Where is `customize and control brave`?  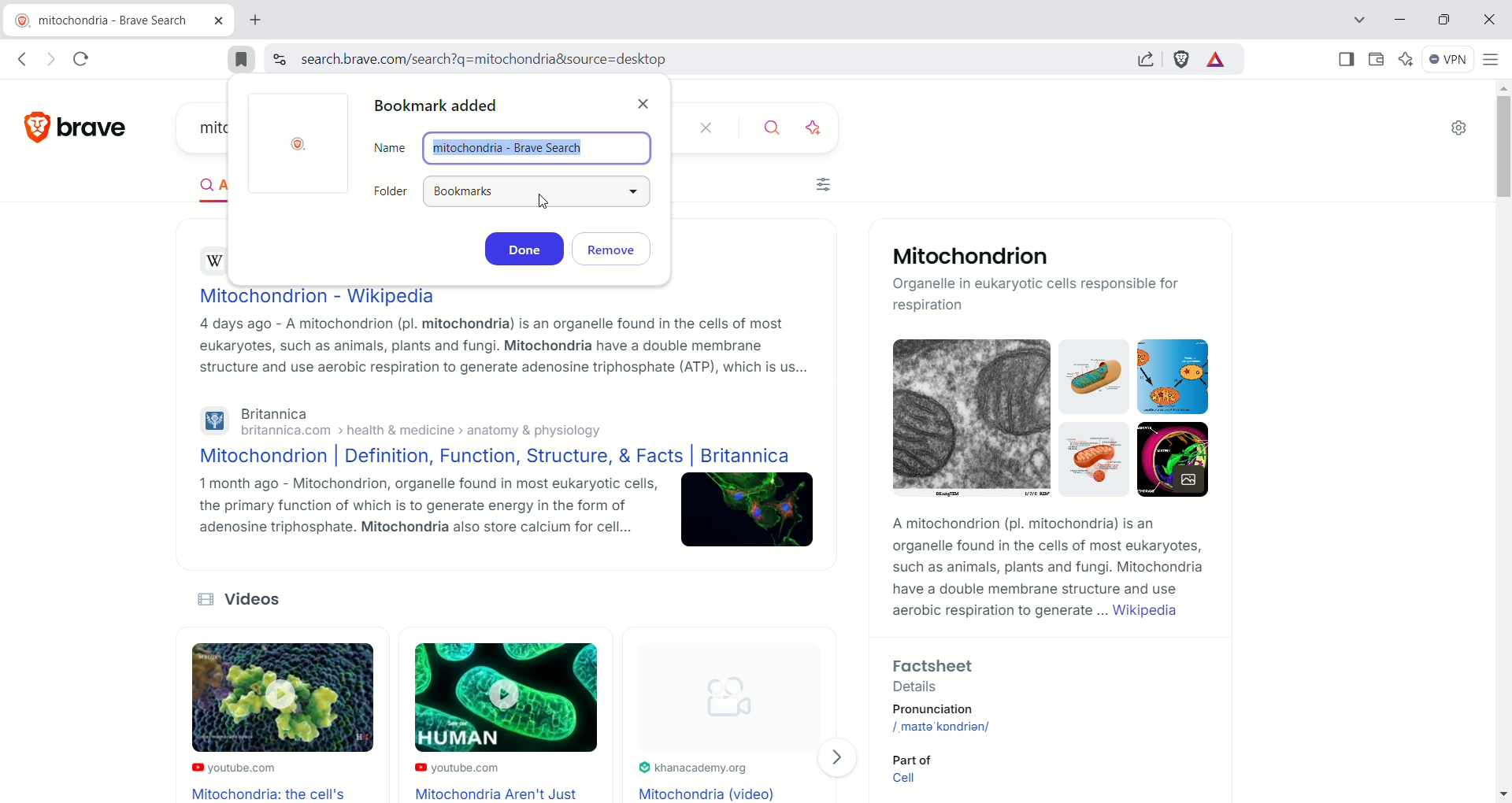 customize and control brave is located at coordinates (1492, 59).